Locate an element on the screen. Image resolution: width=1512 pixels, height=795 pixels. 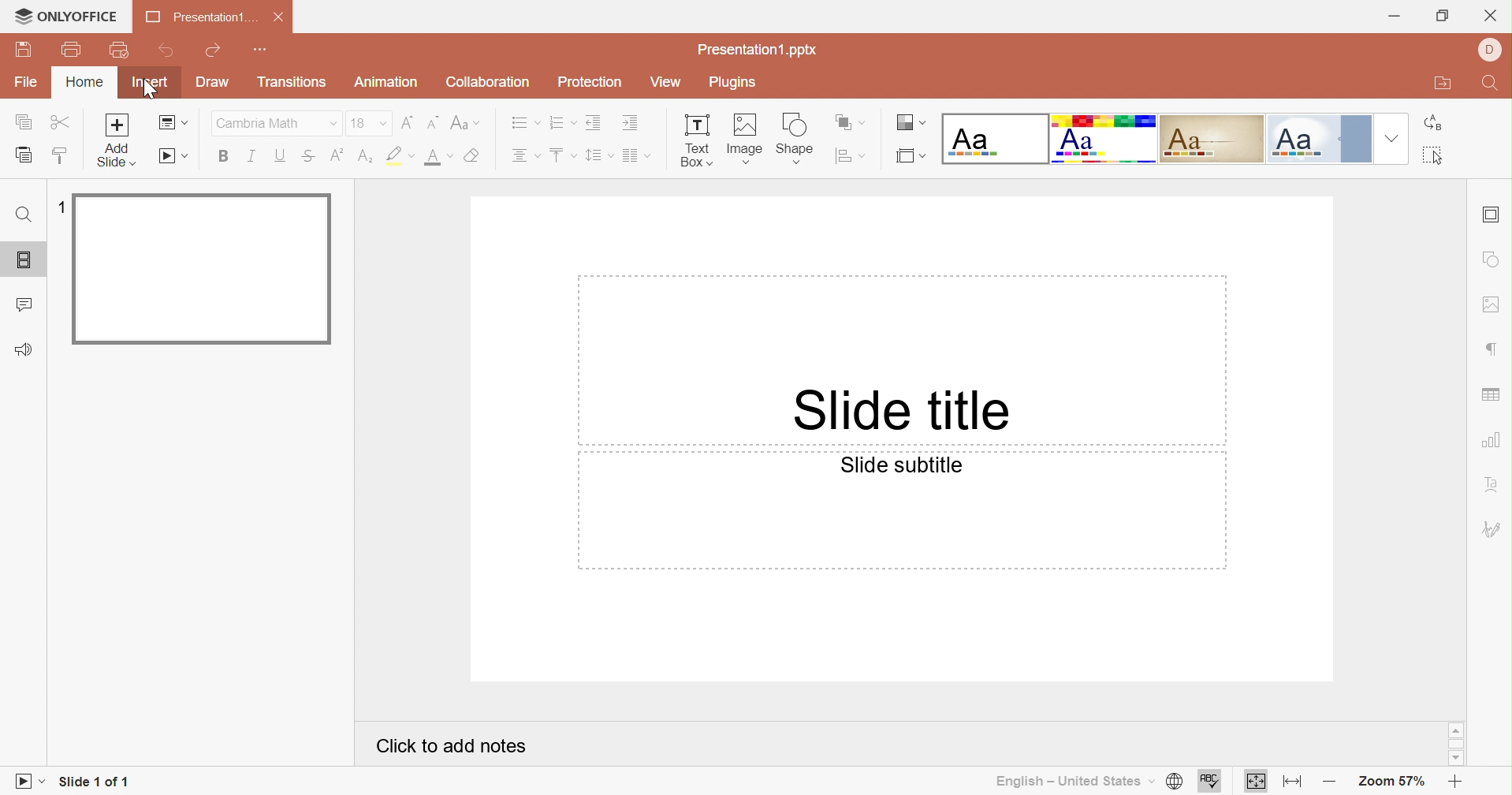
Feedback and support is located at coordinates (27, 349).